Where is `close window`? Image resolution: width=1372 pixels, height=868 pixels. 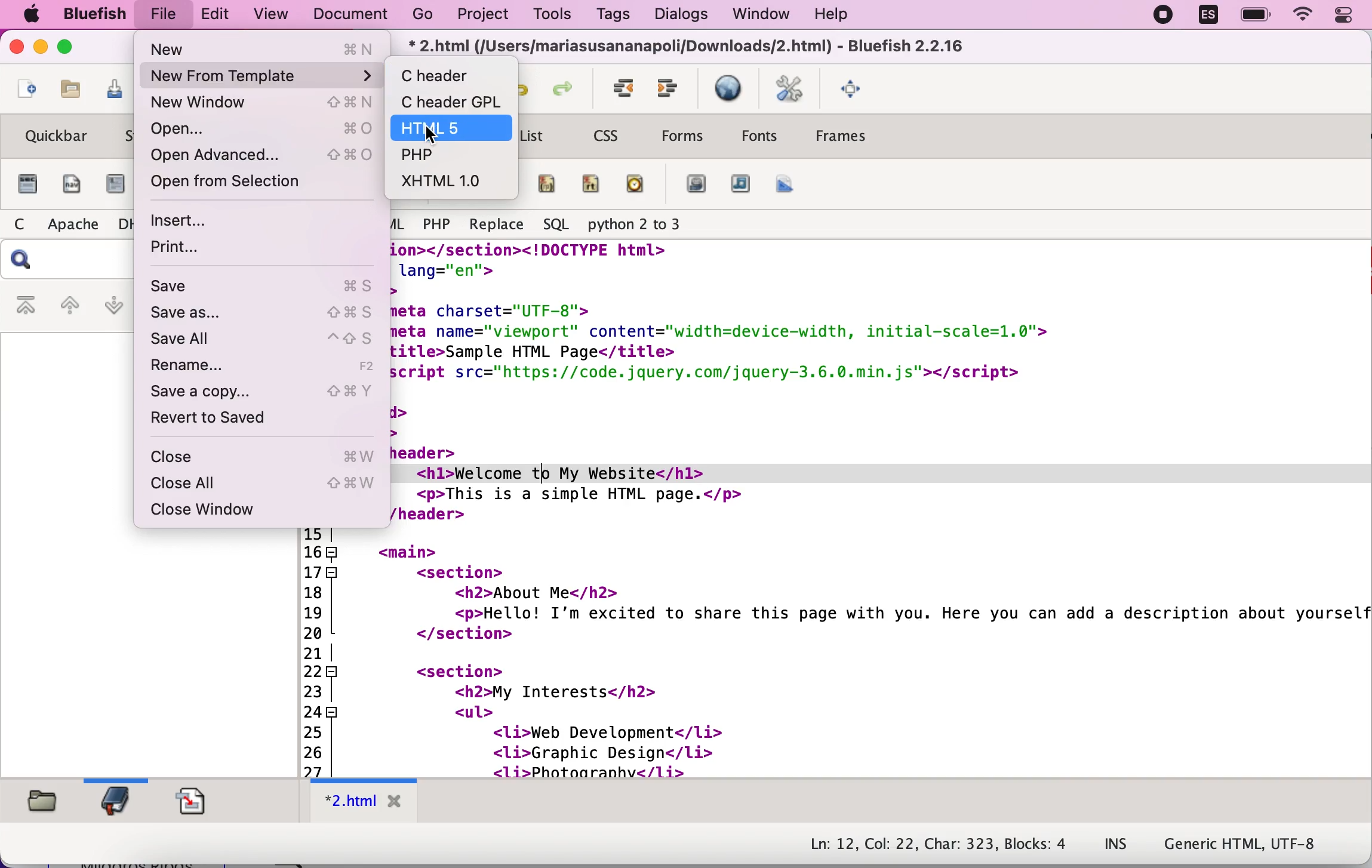 close window is located at coordinates (258, 509).